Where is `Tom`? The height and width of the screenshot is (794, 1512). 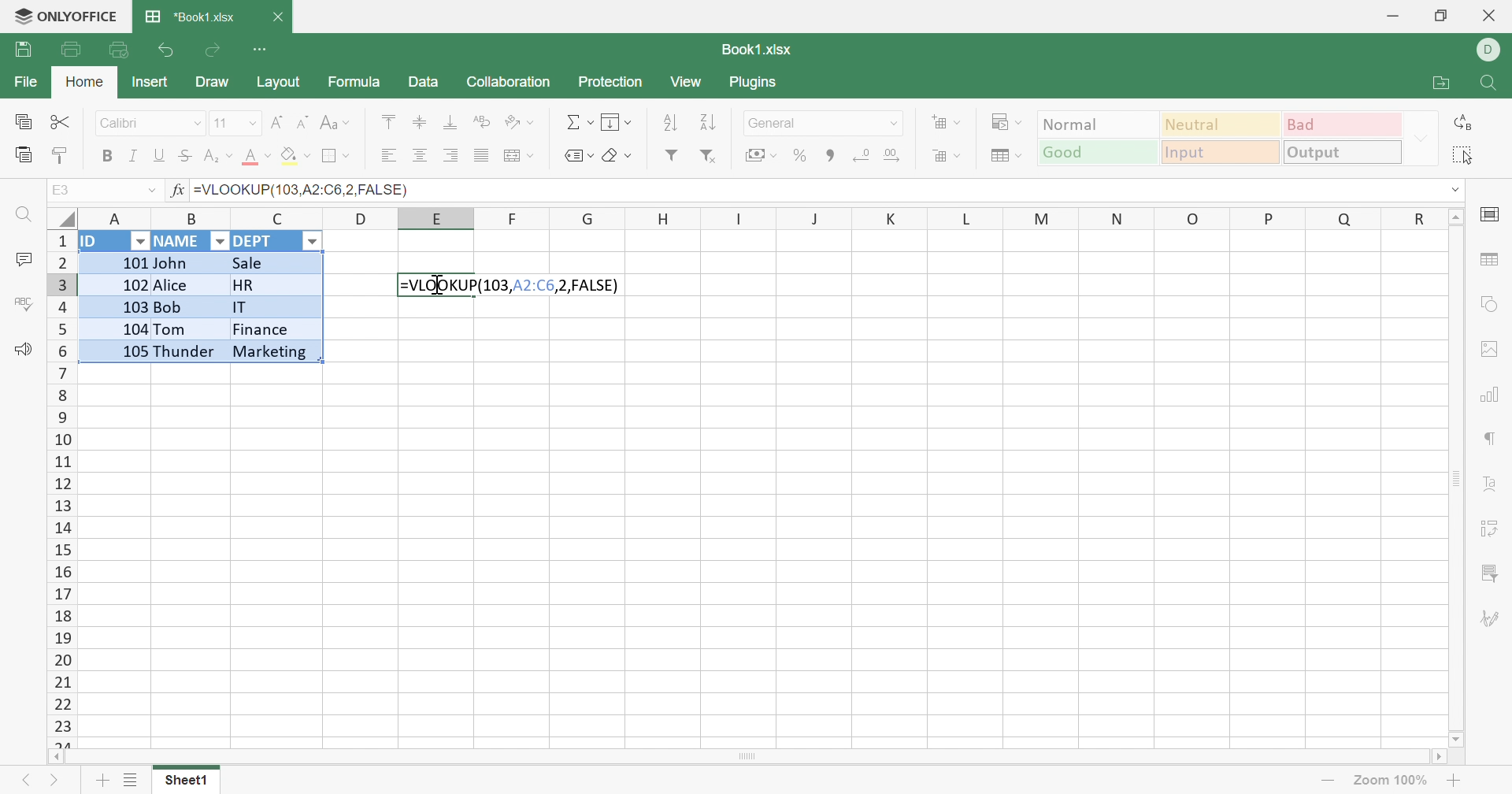
Tom is located at coordinates (173, 328).